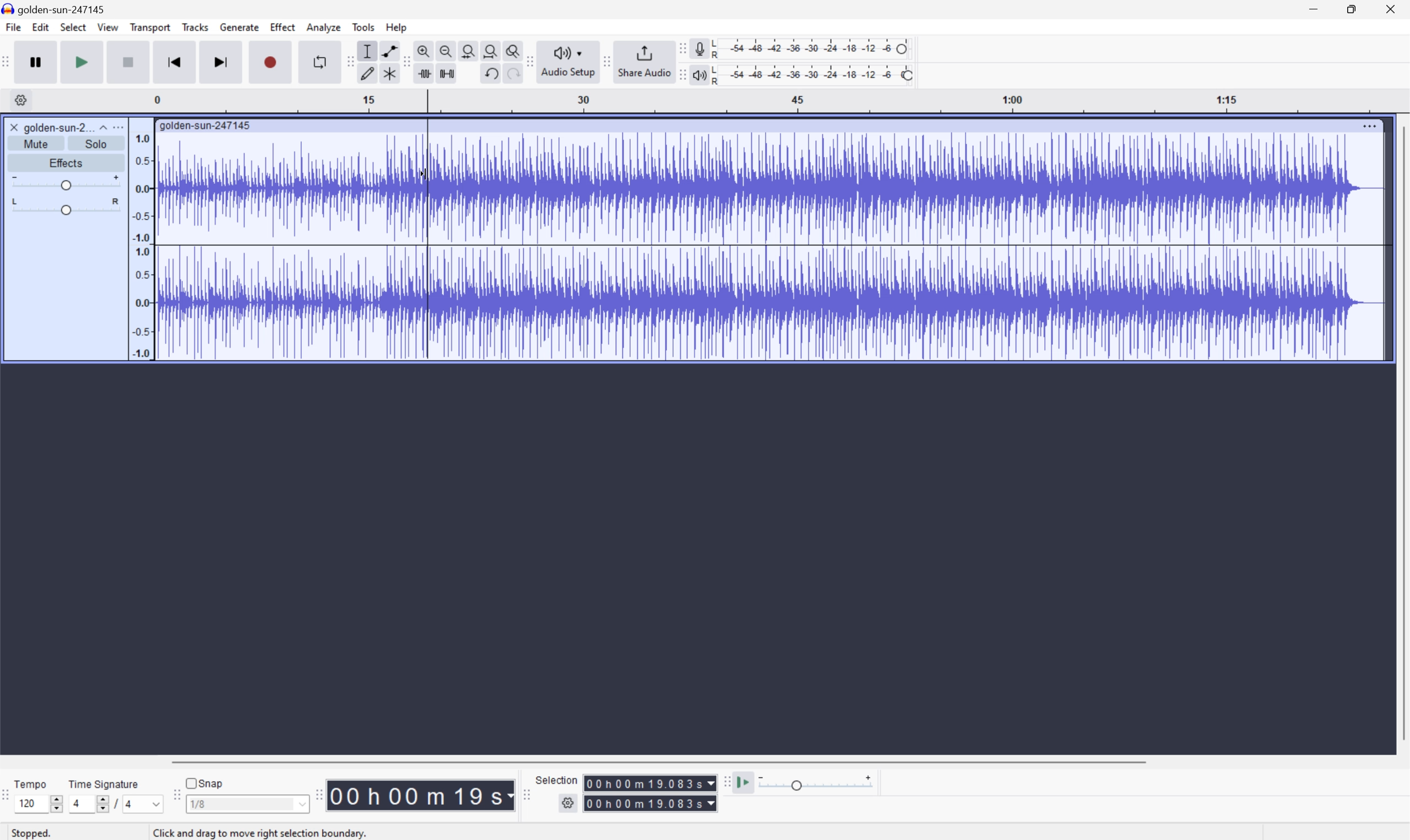 The width and height of the screenshot is (1410, 840). Describe the element at coordinates (681, 48) in the screenshot. I see `Audacity recording meter toolbar` at that location.